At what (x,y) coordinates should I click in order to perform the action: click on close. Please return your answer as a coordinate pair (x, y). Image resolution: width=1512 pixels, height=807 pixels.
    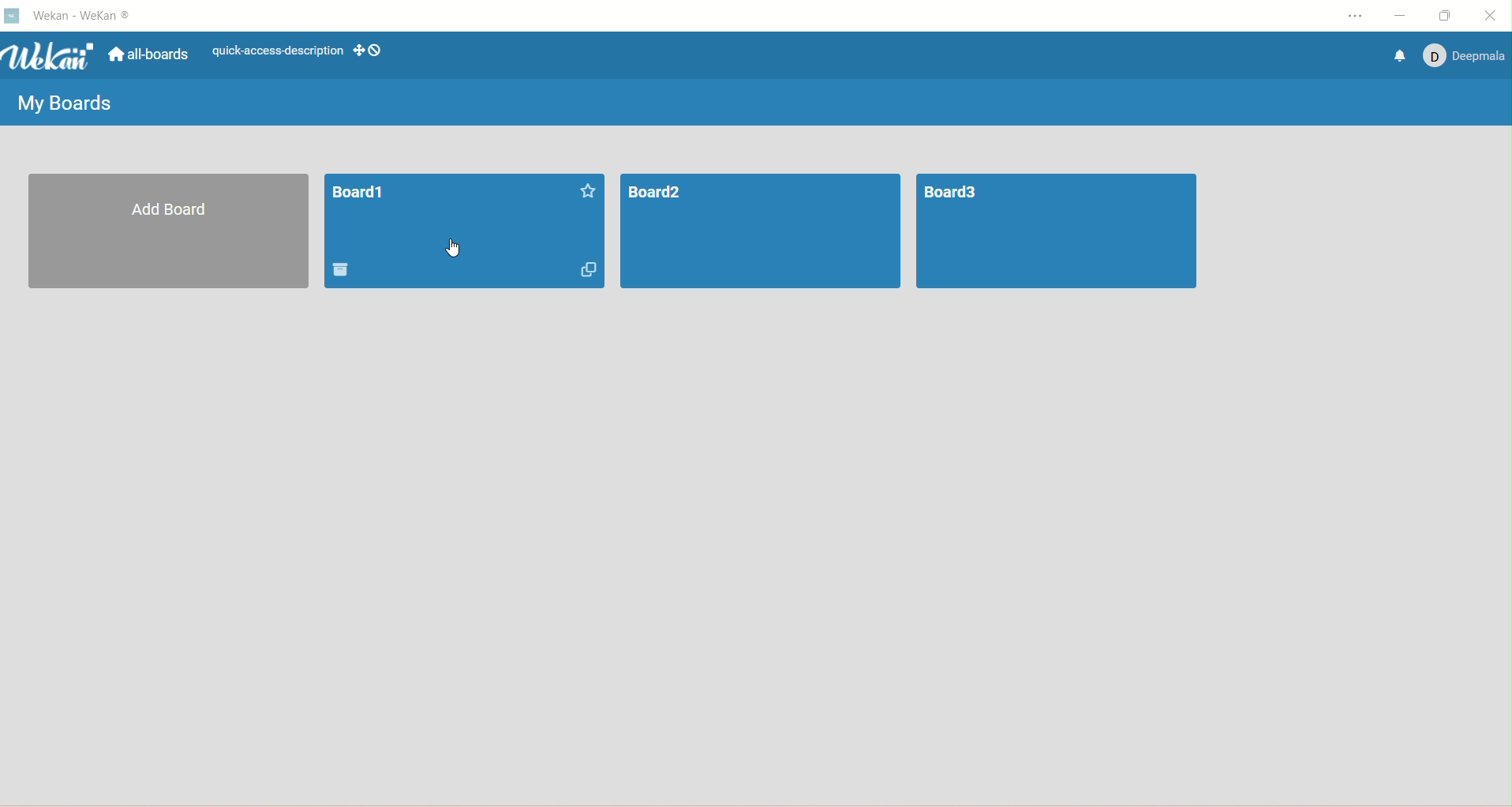
    Looking at the image, I should click on (1495, 13).